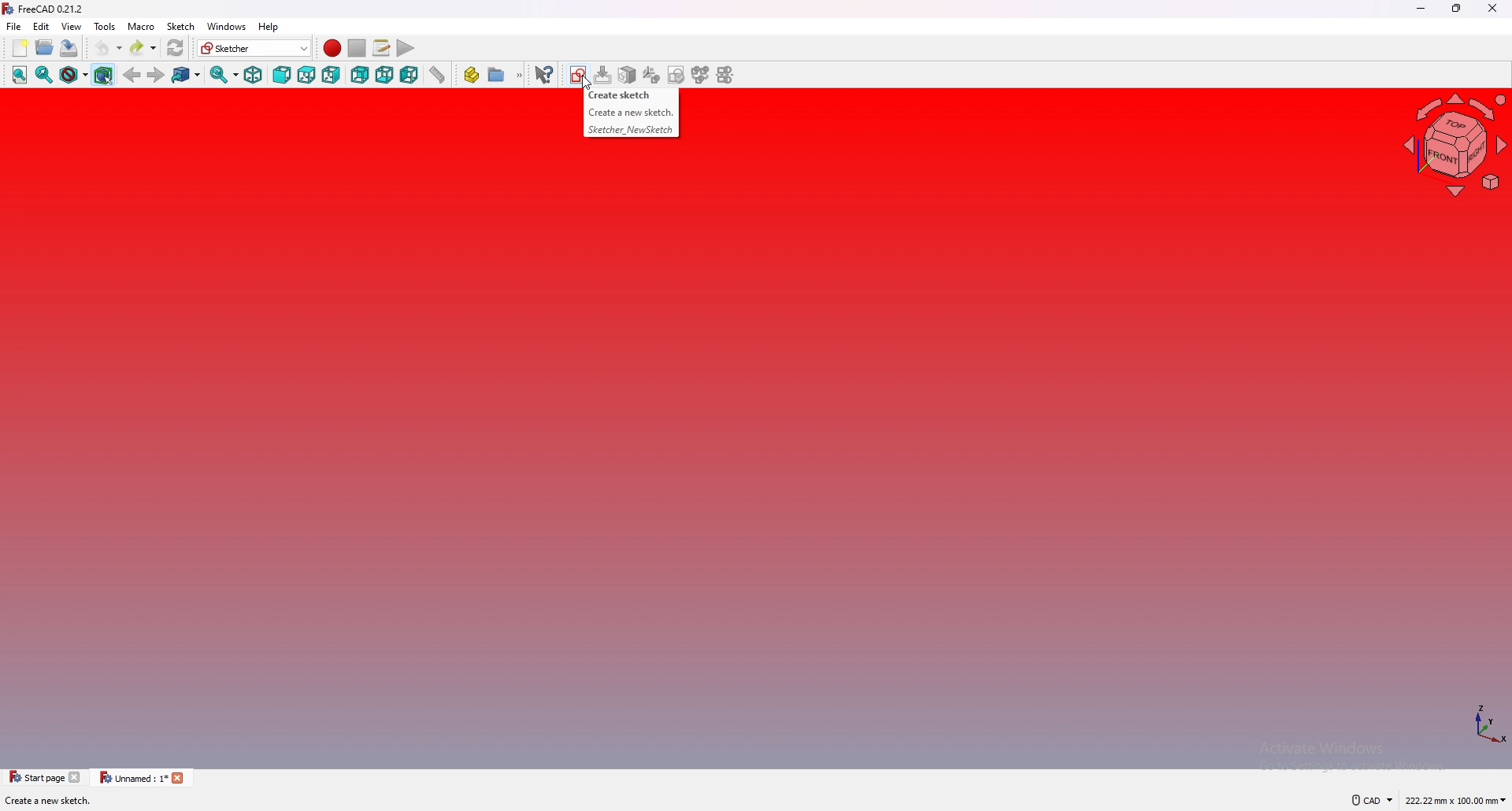 This screenshot has height=811, width=1512. I want to click on attach sketch, so click(629, 75).